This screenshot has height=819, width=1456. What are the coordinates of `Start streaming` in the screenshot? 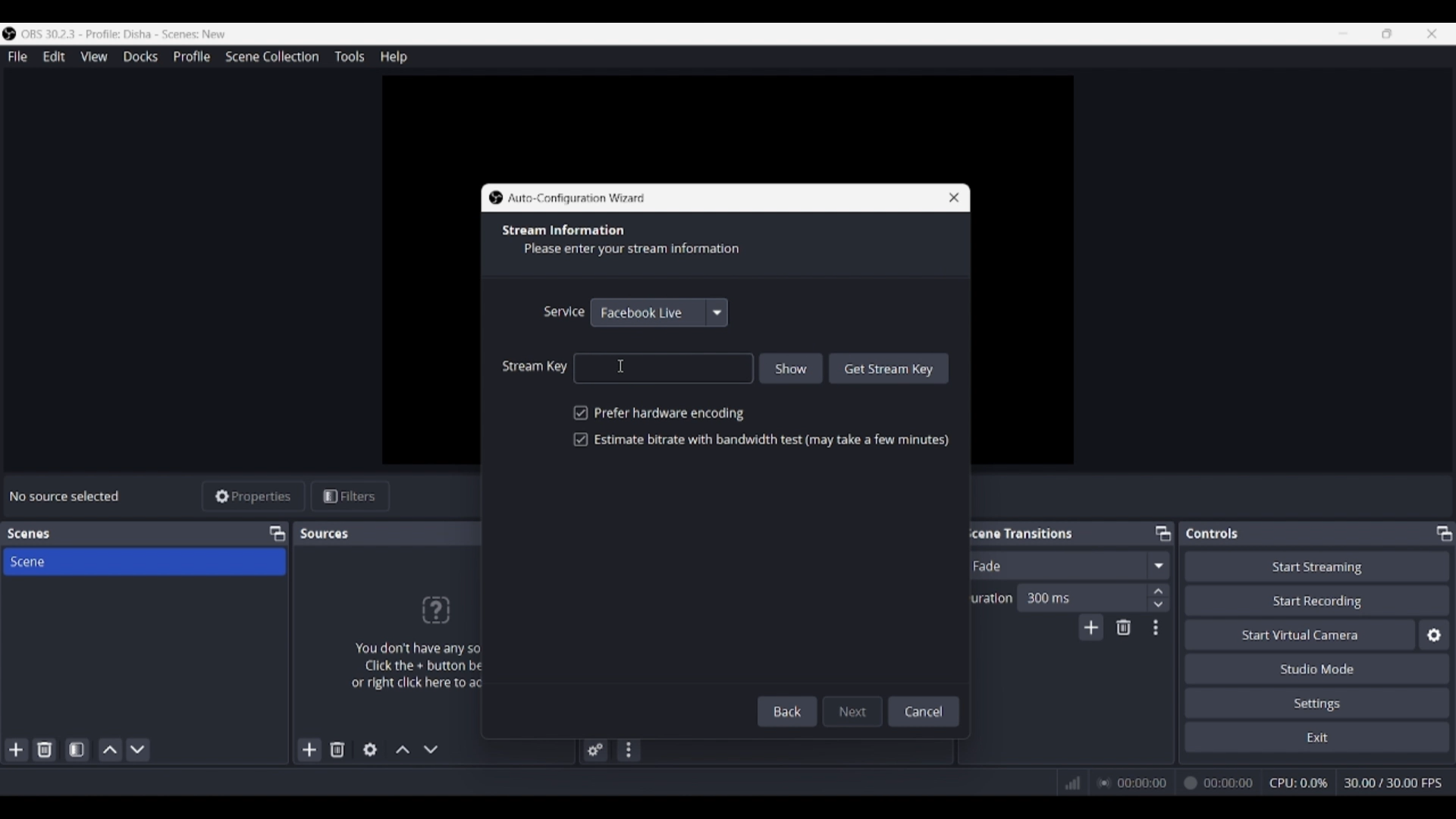 It's located at (1318, 566).